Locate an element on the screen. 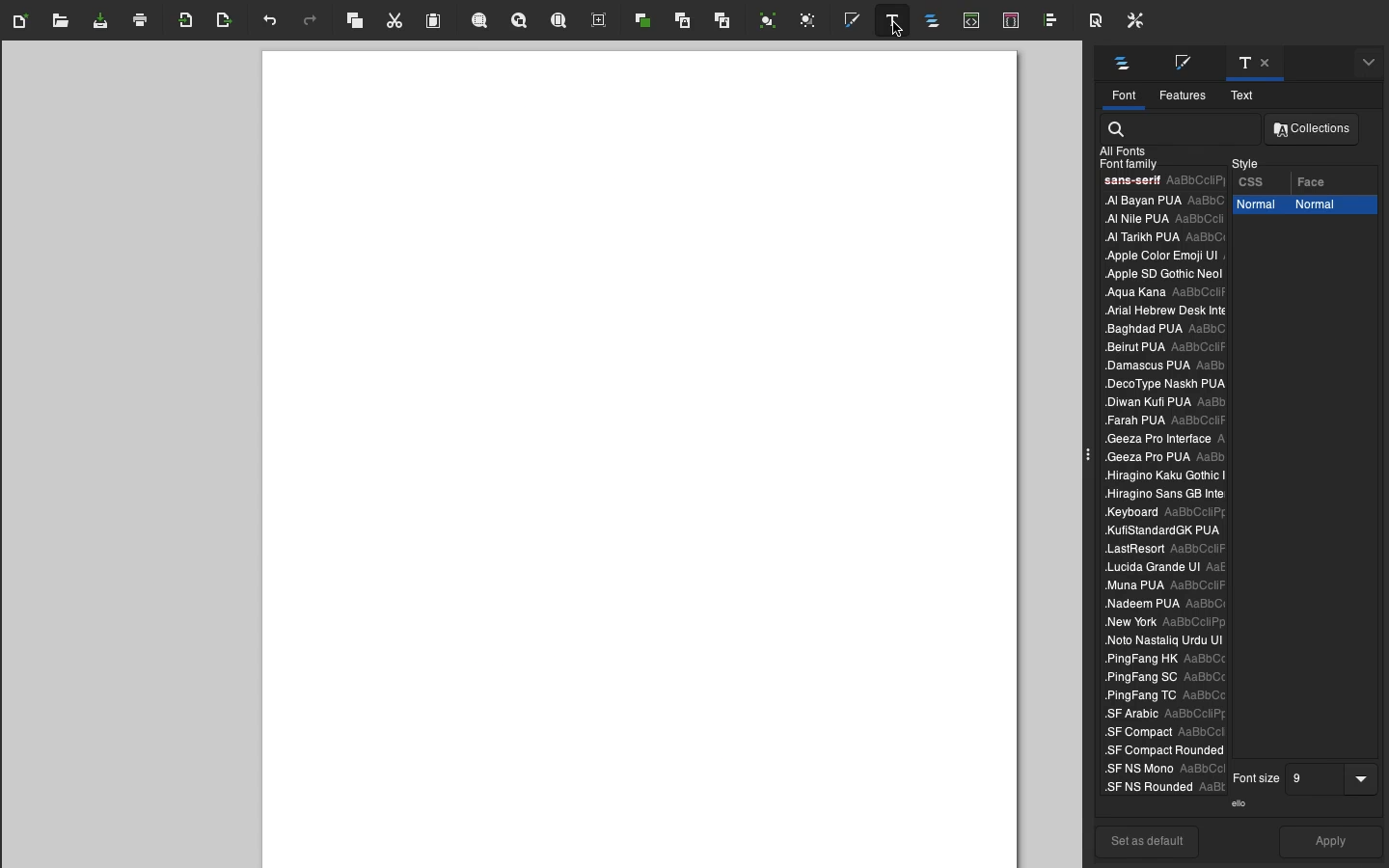  Create clone is located at coordinates (684, 22).